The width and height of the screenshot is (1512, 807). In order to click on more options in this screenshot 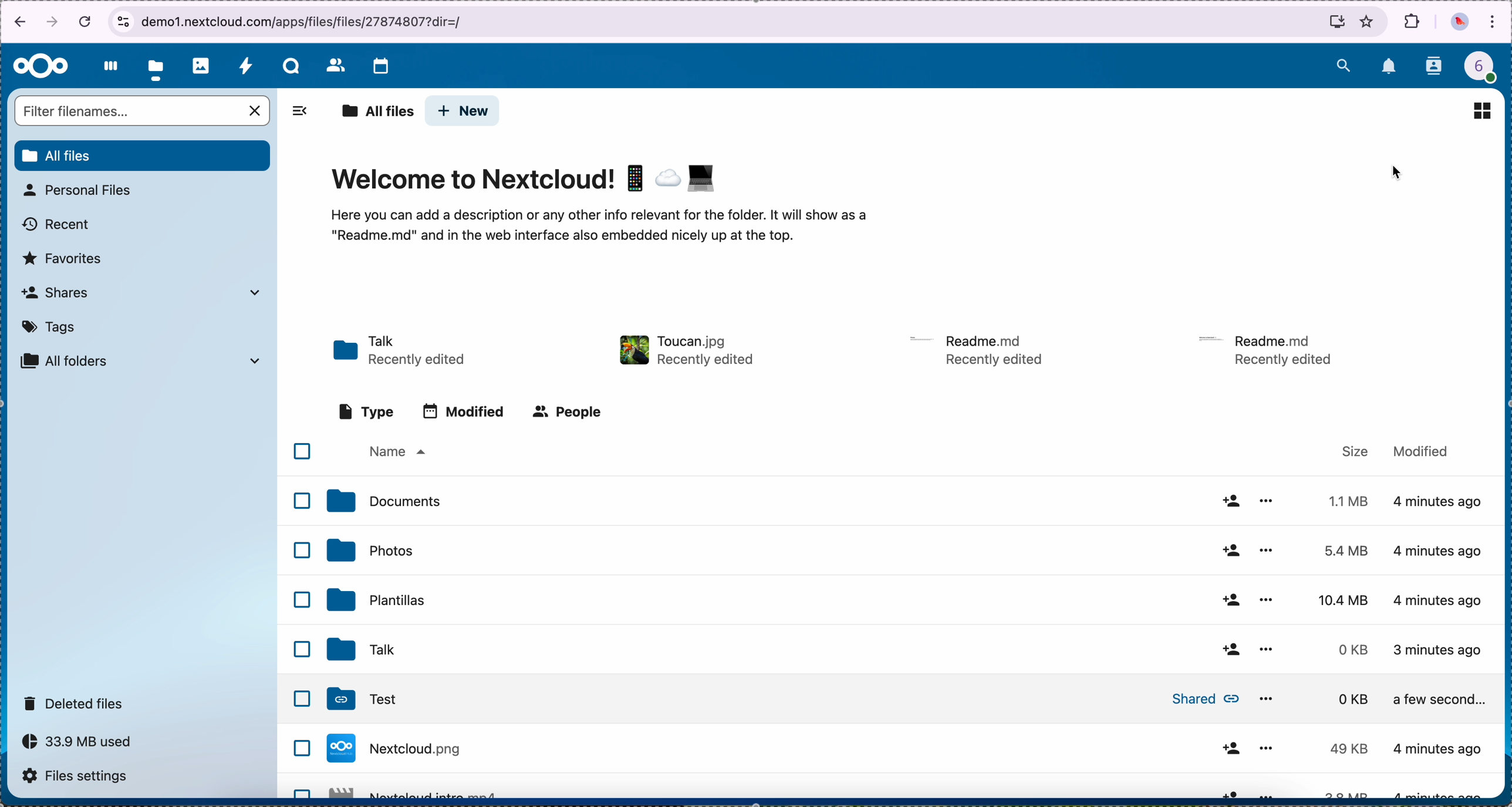, I will do `click(1271, 792)`.